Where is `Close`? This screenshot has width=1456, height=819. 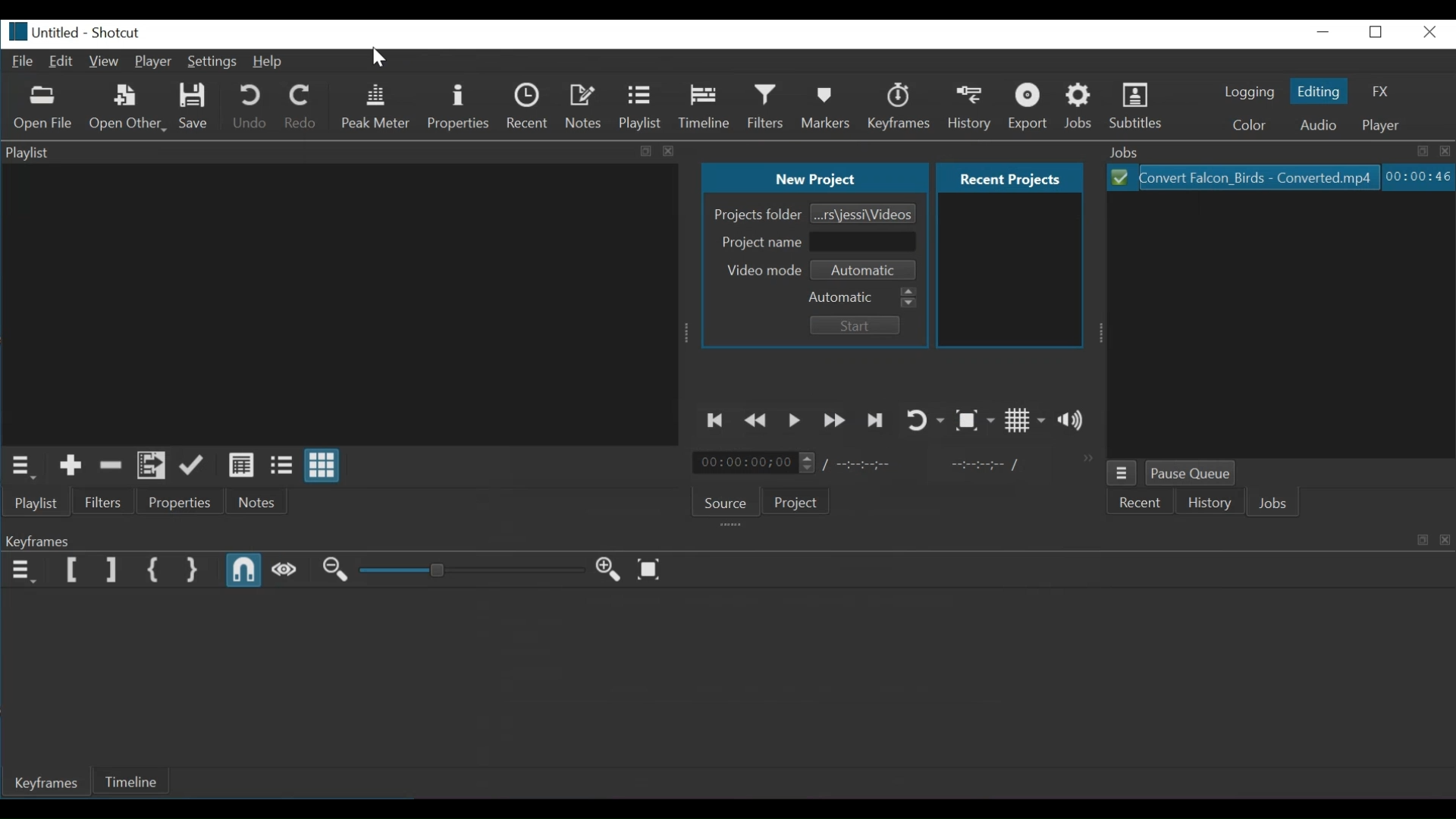
Close is located at coordinates (1430, 33).